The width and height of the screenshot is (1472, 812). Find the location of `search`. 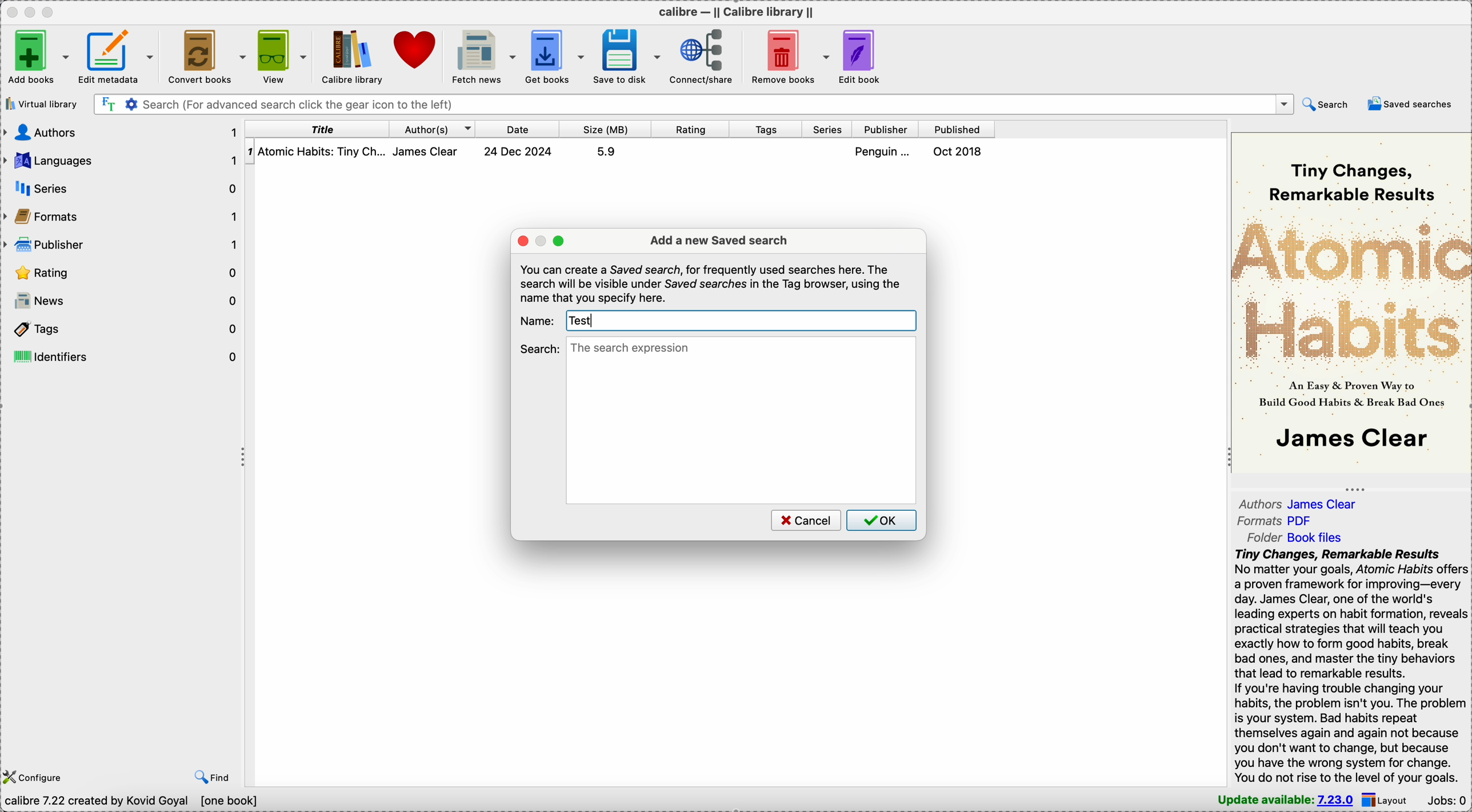

search is located at coordinates (540, 348).